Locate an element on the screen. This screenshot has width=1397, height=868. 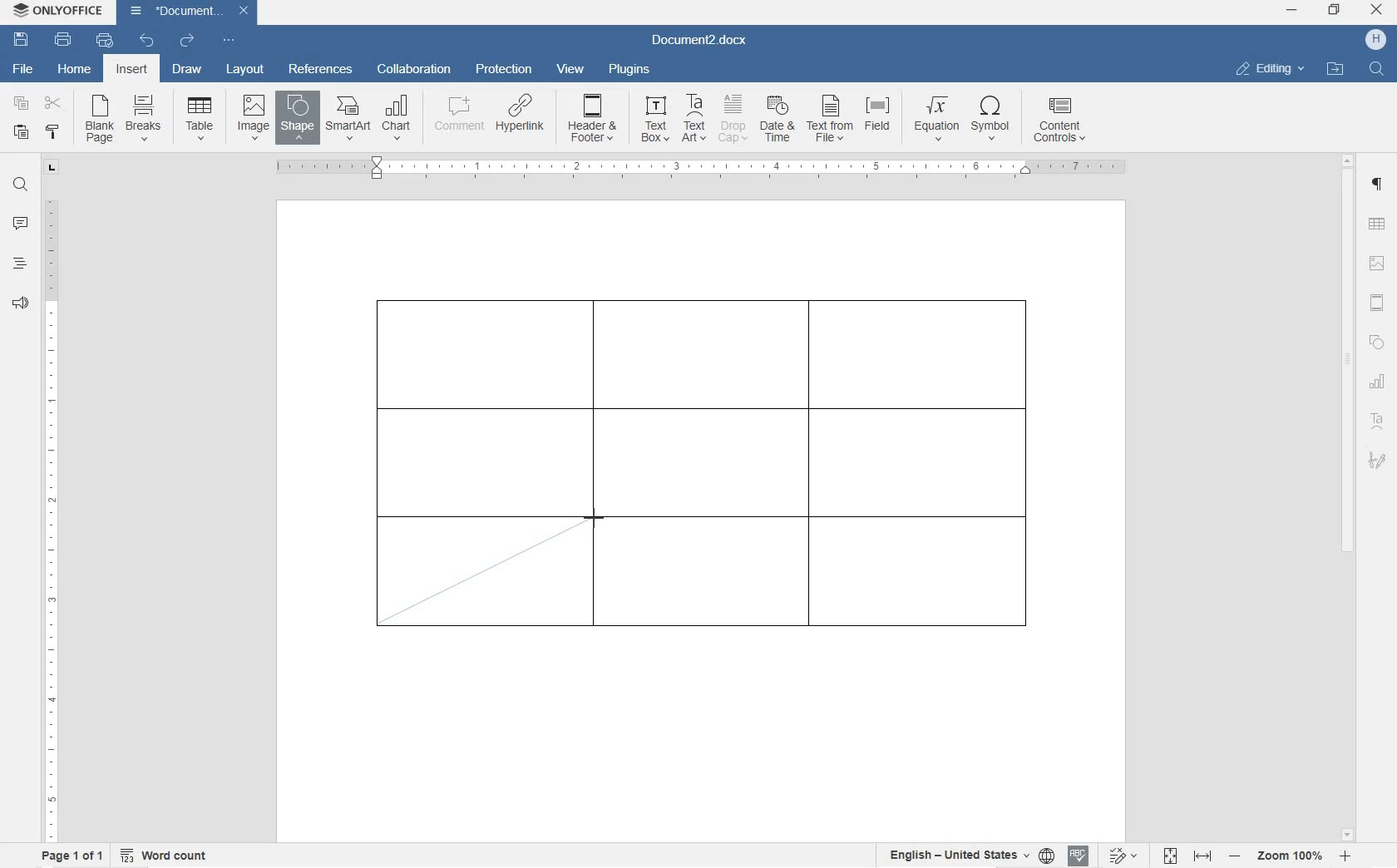
scrollbar is located at coordinates (1348, 496).